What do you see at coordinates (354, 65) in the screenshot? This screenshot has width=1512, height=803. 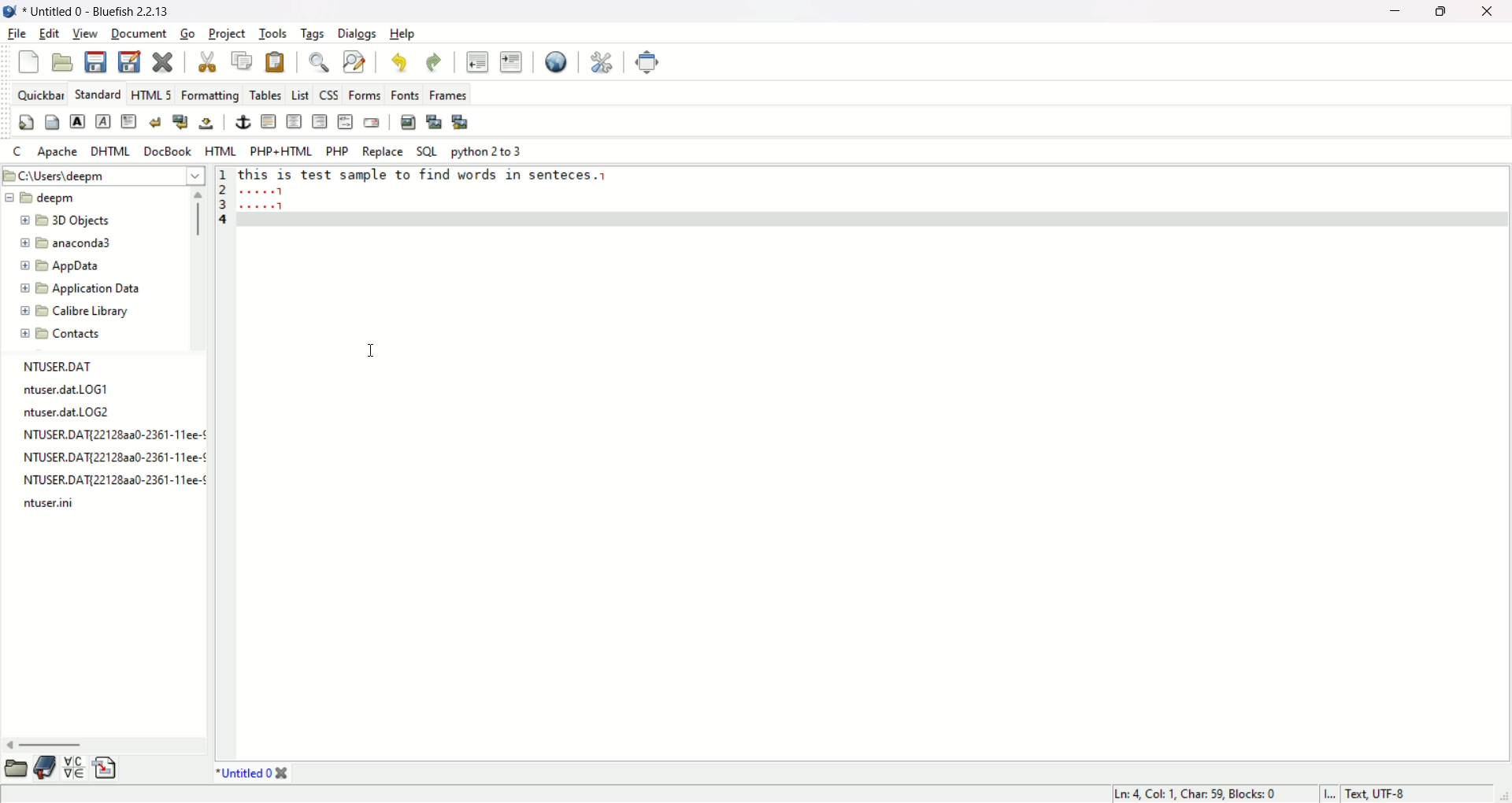 I see `find and replace` at bounding box center [354, 65].